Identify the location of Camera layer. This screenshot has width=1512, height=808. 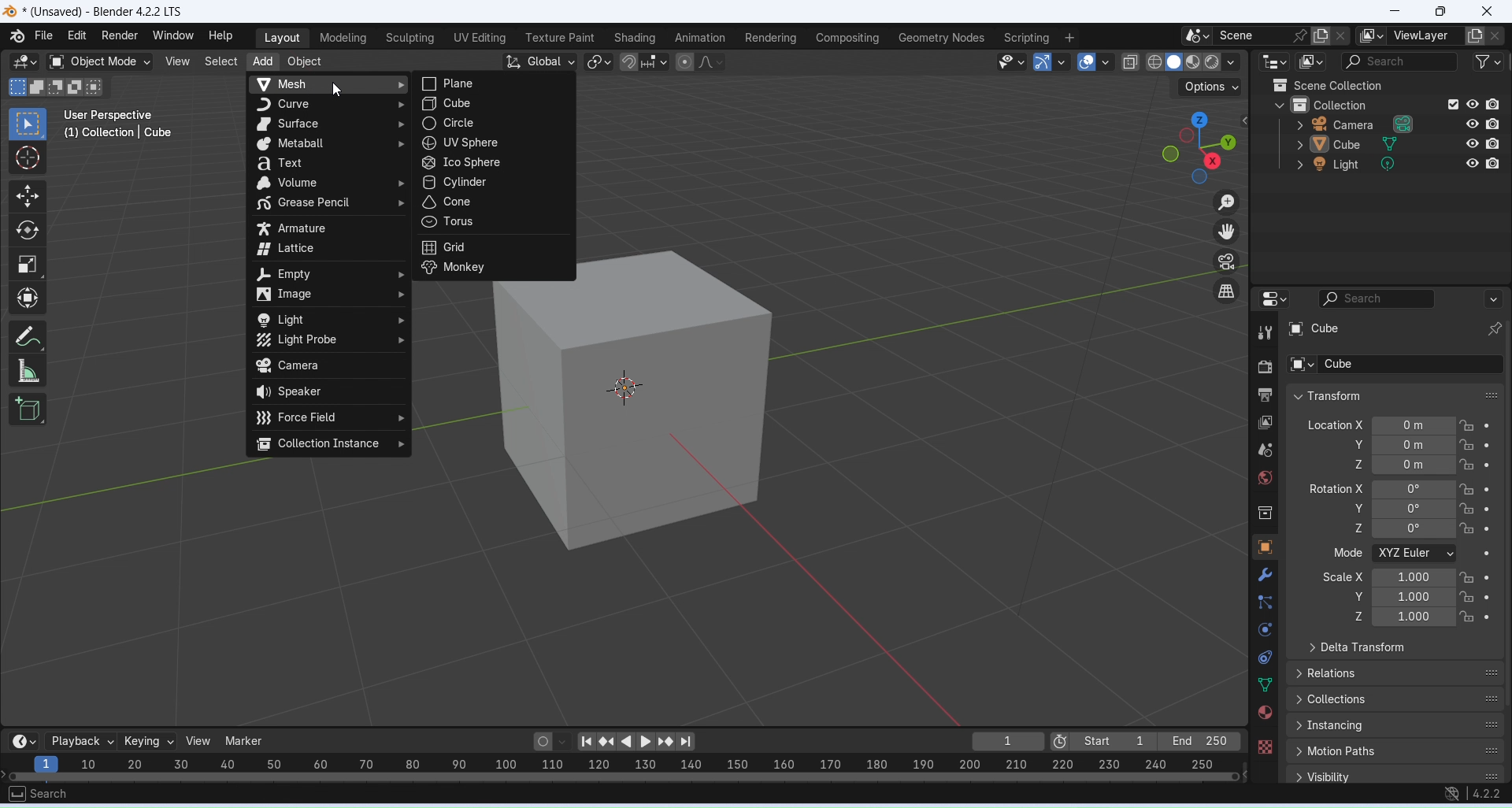
(1395, 123).